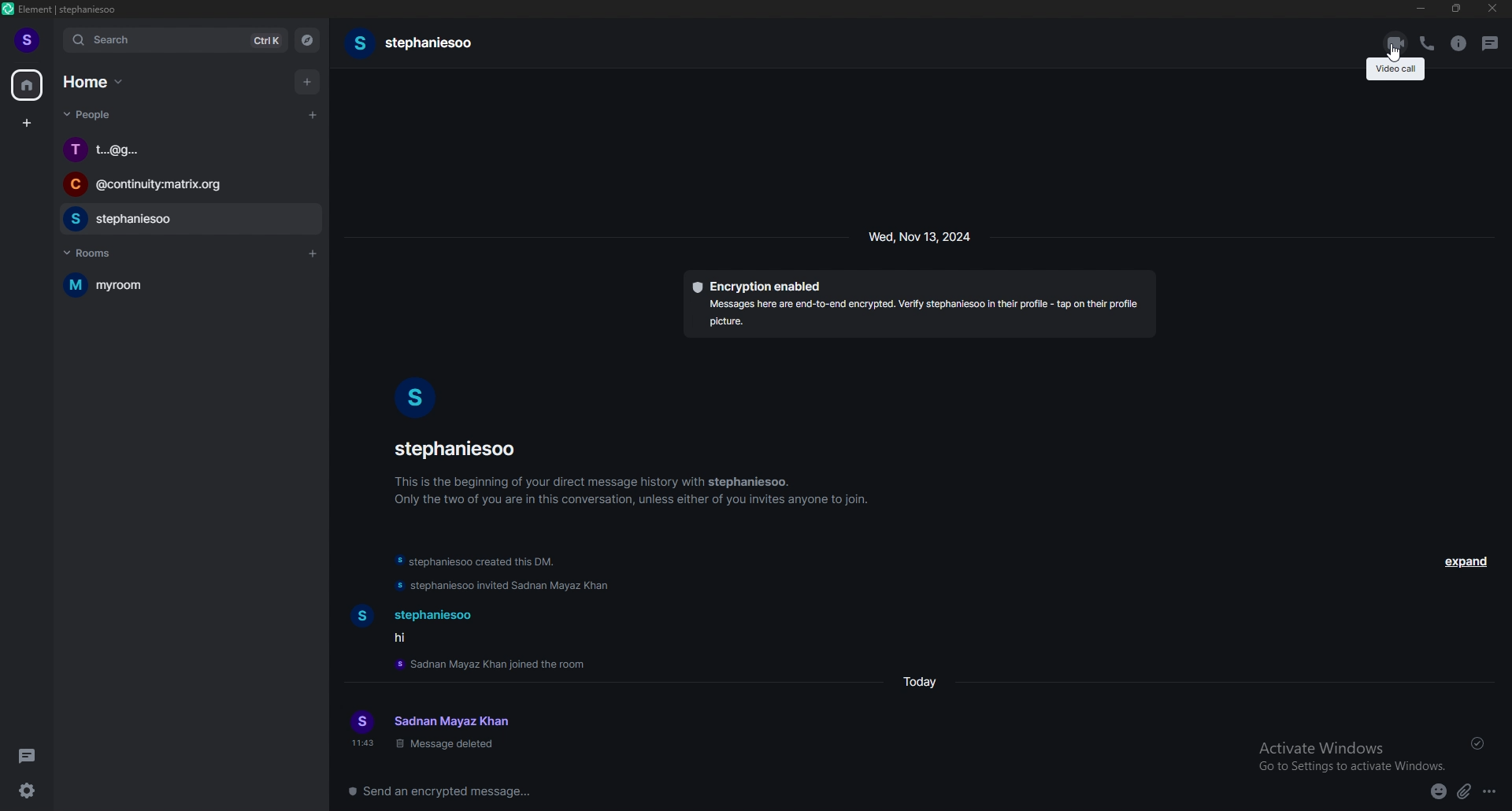  I want to click on options, so click(1493, 791).